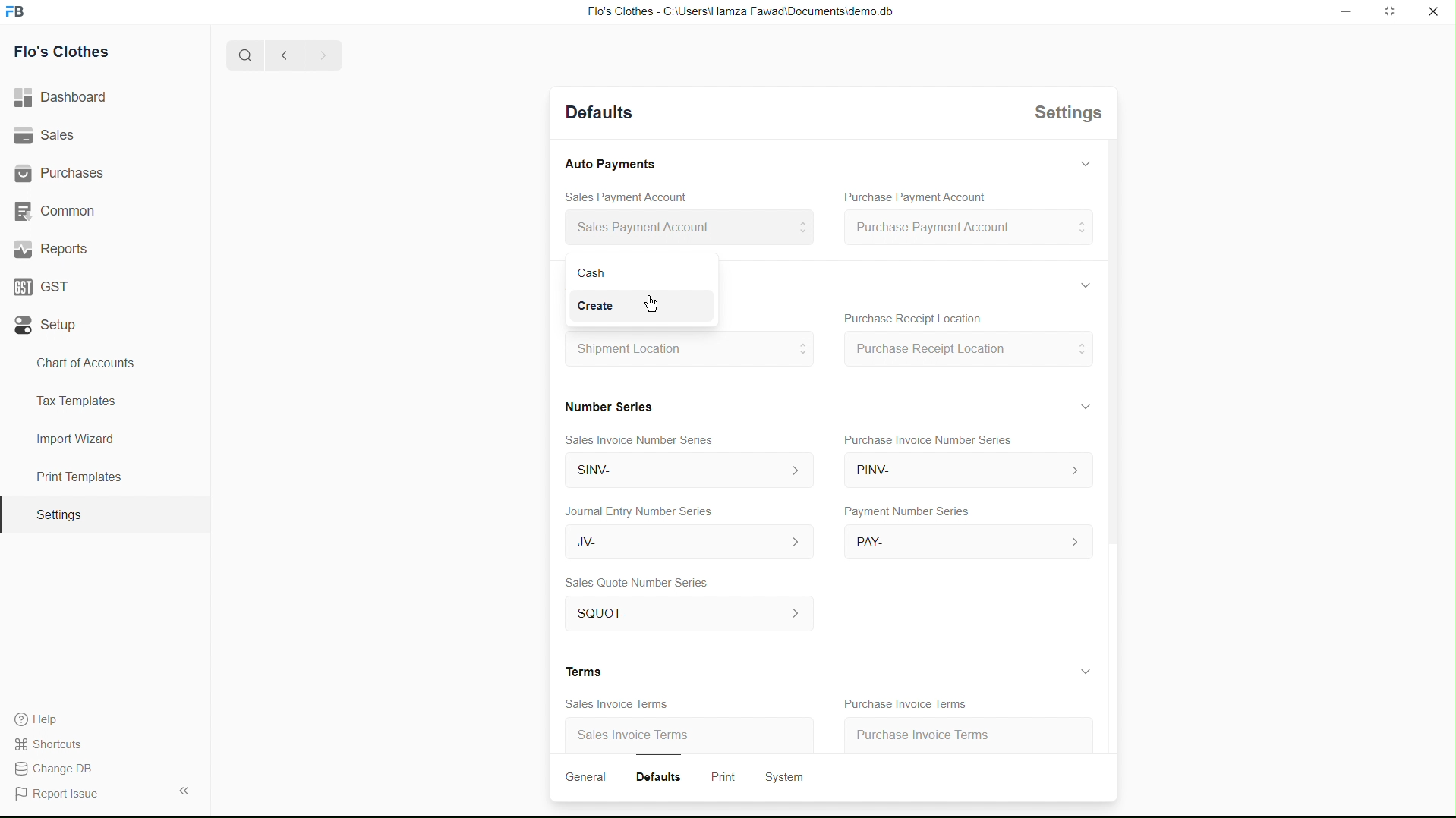 Image resolution: width=1456 pixels, height=818 pixels. Describe the element at coordinates (66, 171) in the screenshot. I see `| Purchases` at that location.